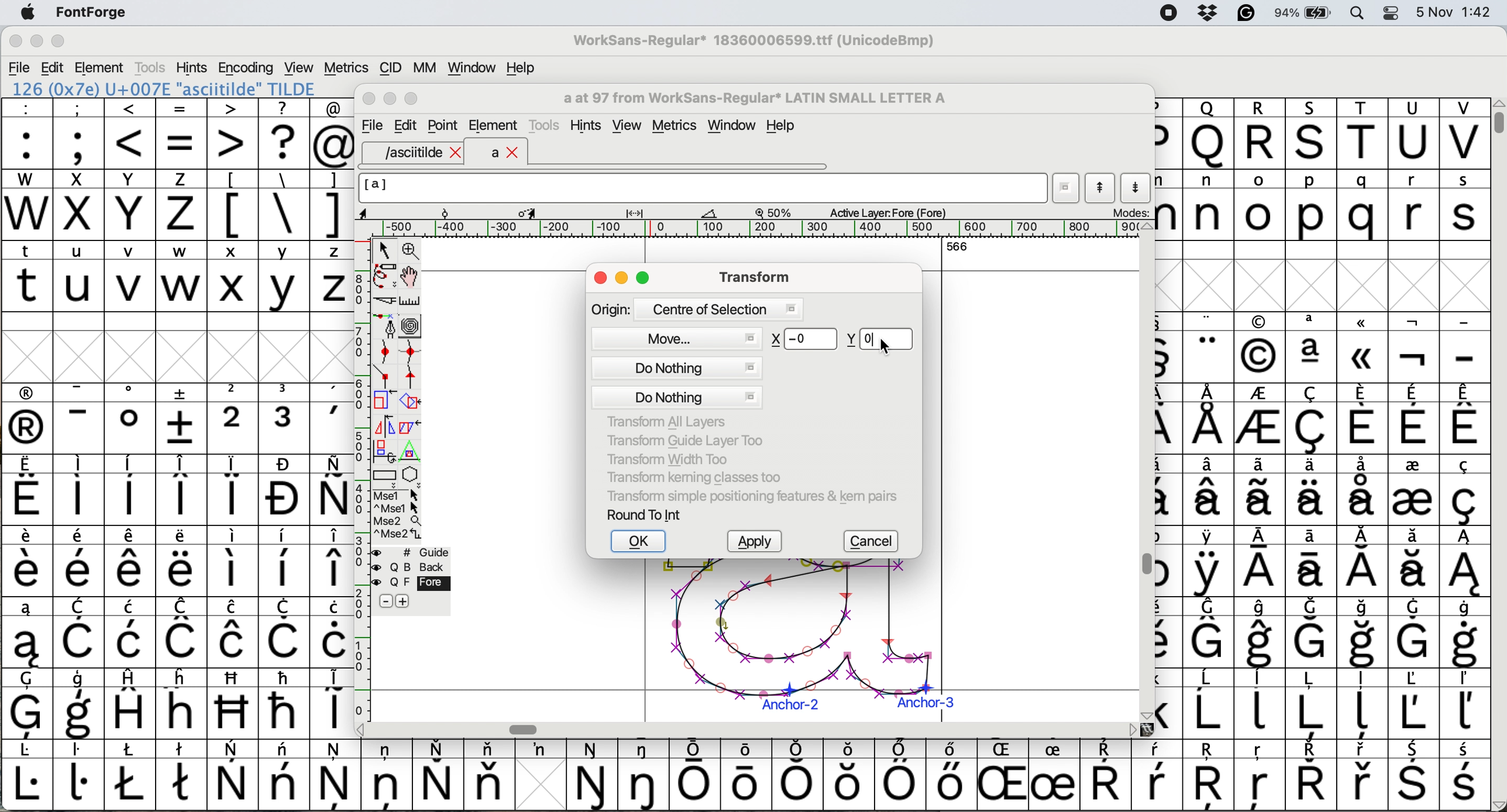 Image resolution: width=1507 pixels, height=812 pixels. I want to click on symbol, so click(28, 491).